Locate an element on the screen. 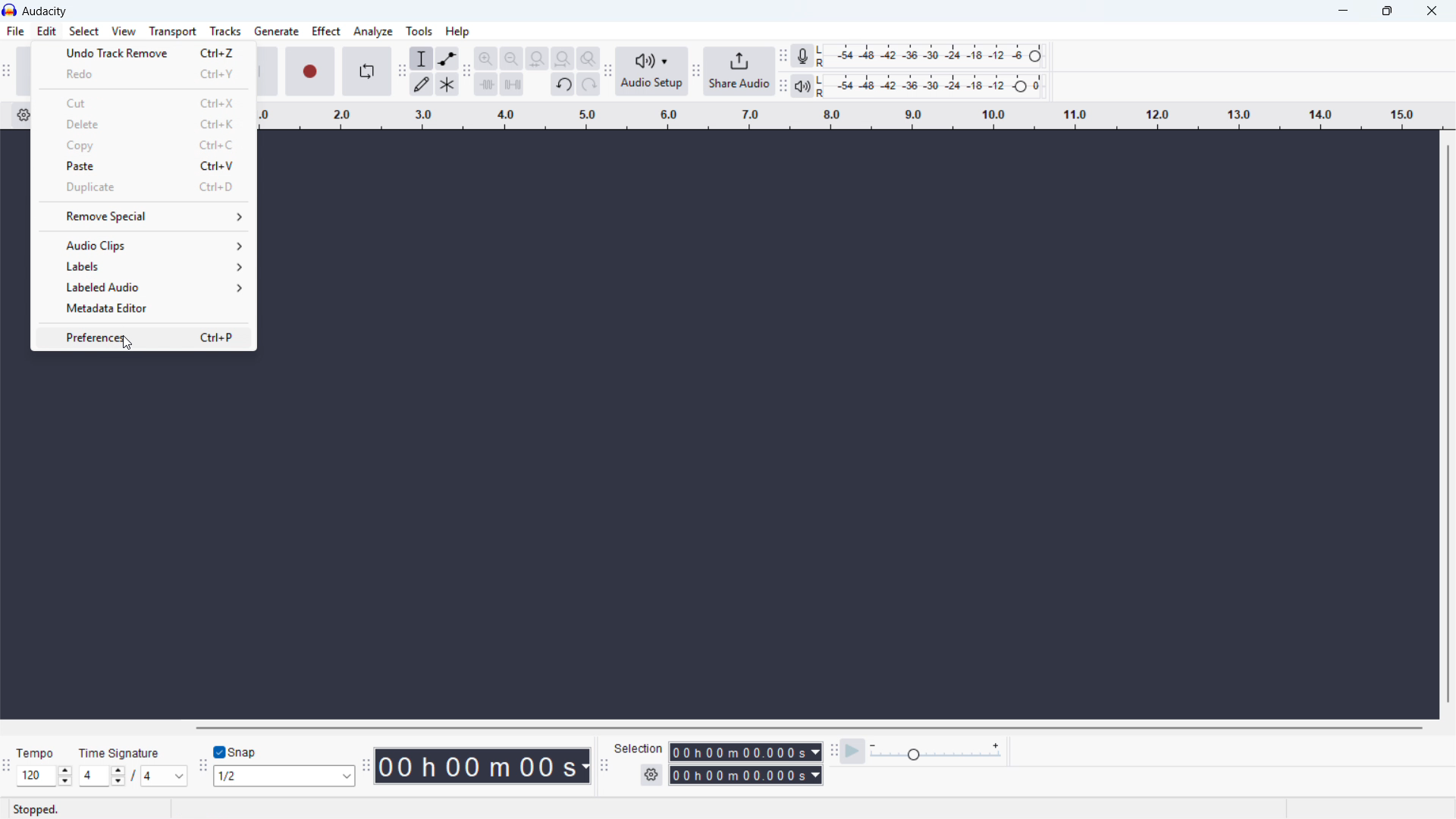  play at speed toolbar is located at coordinates (833, 752).